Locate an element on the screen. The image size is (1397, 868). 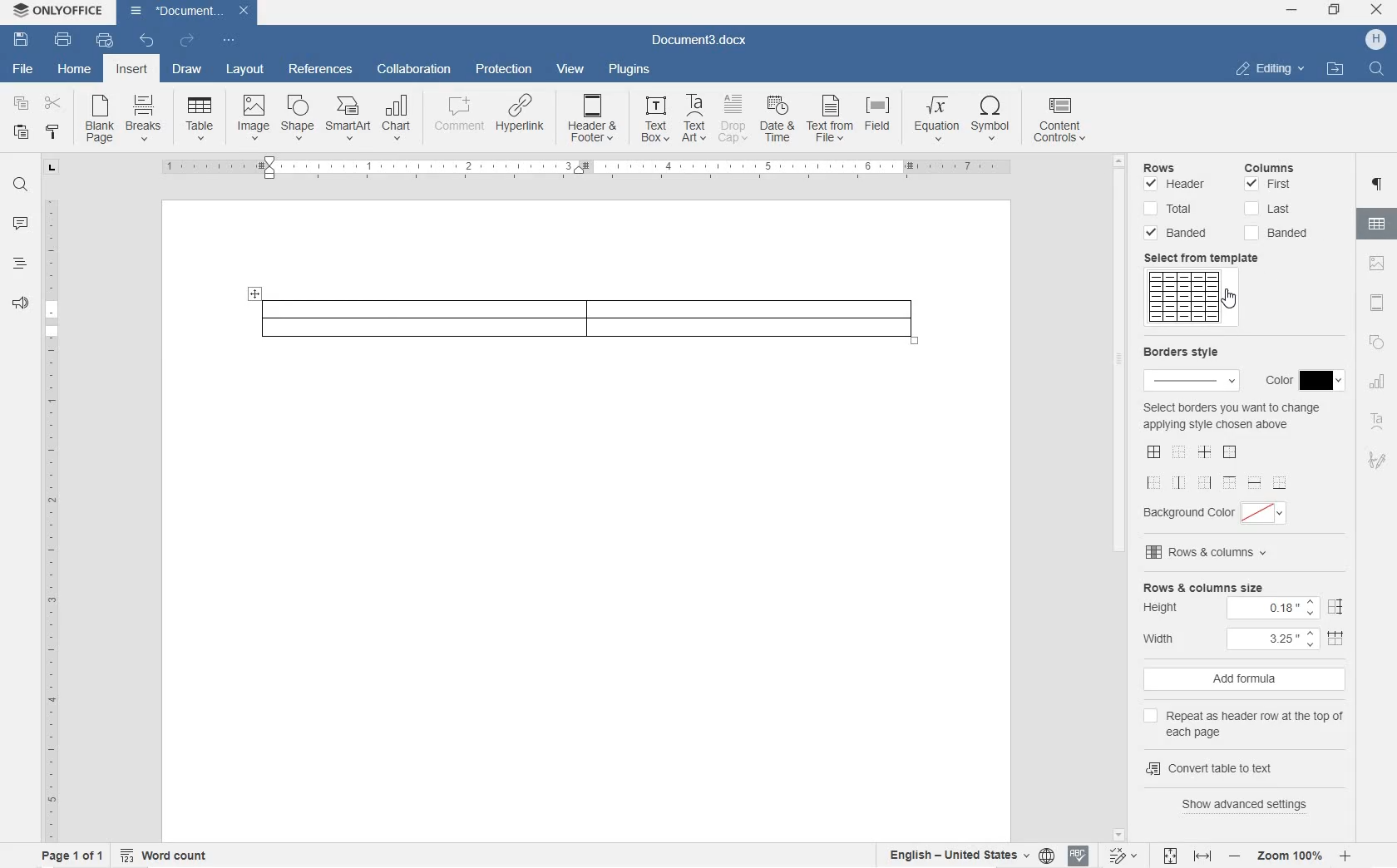
First is located at coordinates (1270, 185).